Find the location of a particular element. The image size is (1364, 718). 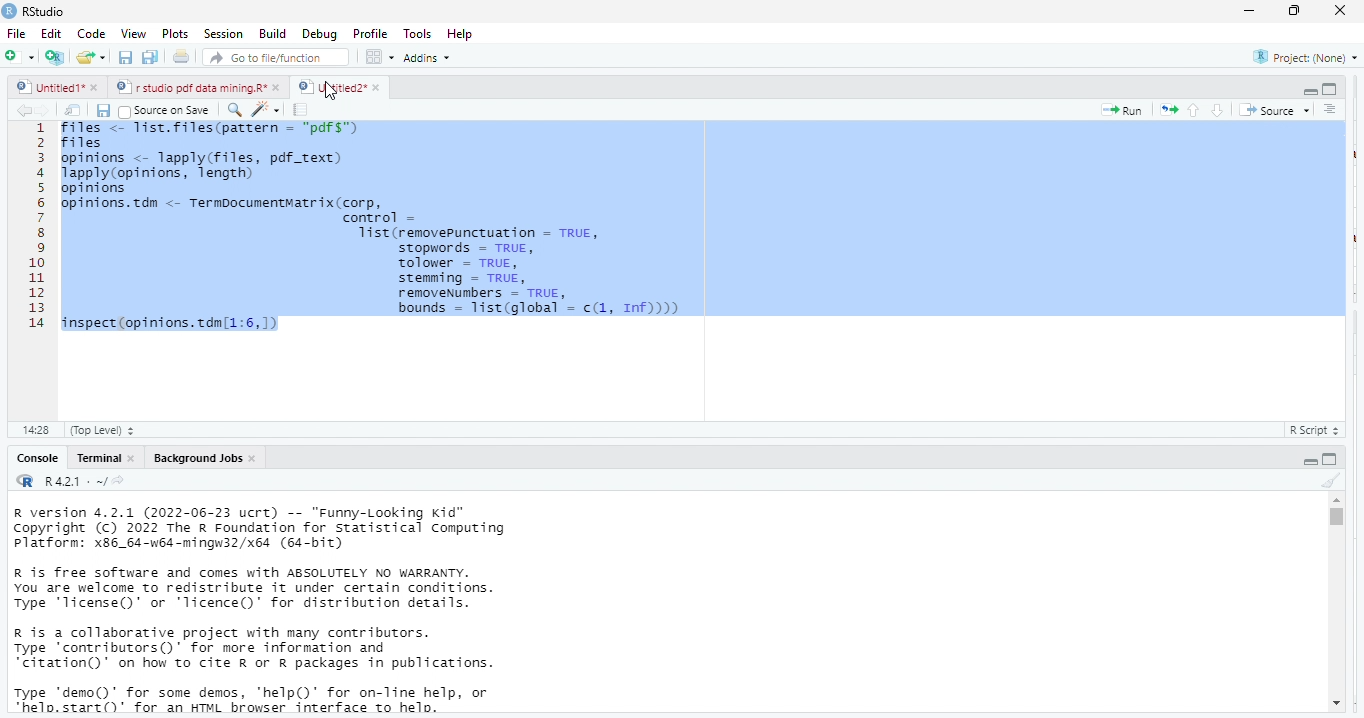

close is located at coordinates (98, 89).